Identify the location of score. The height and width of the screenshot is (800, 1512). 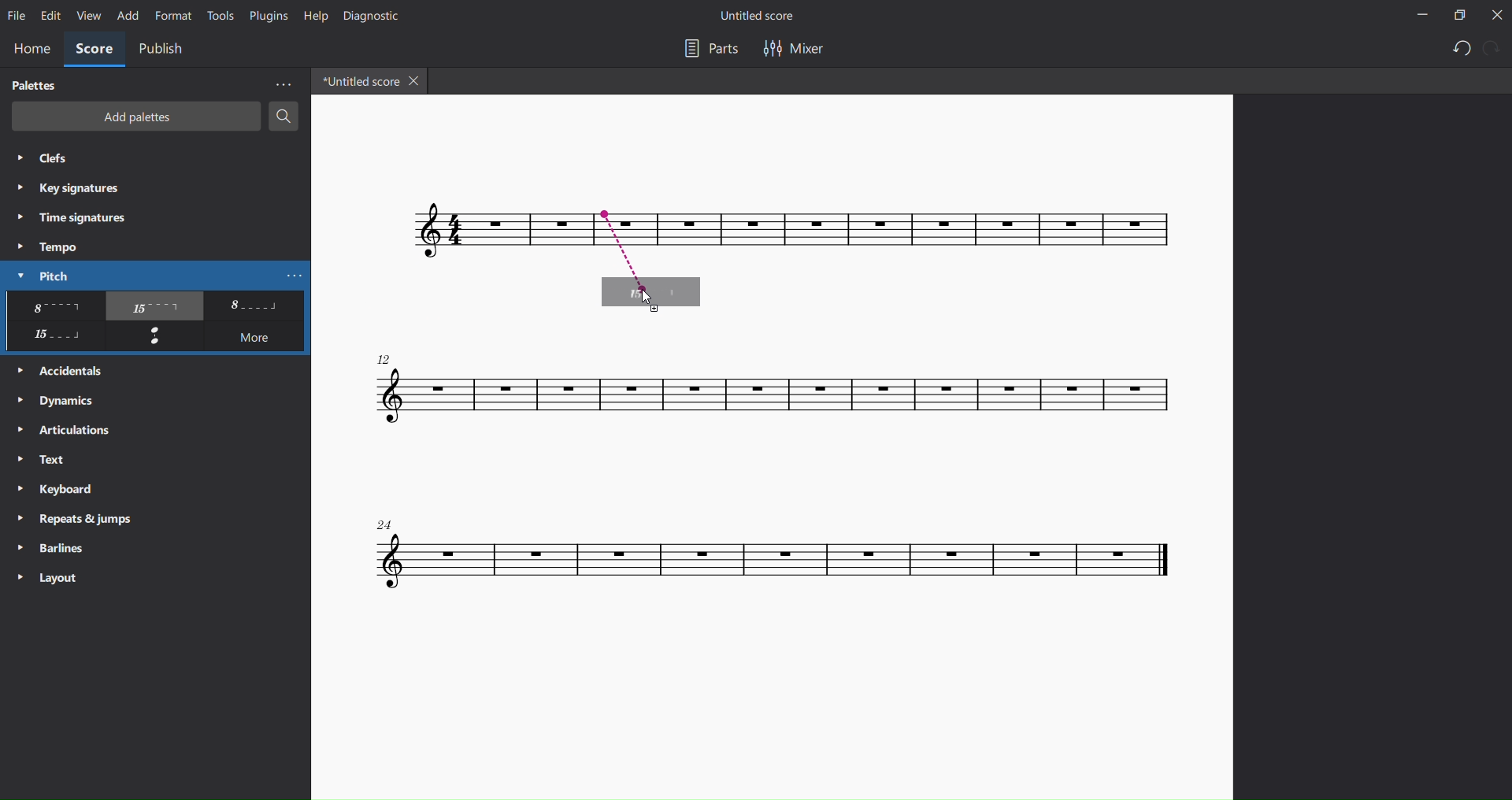
(421, 235).